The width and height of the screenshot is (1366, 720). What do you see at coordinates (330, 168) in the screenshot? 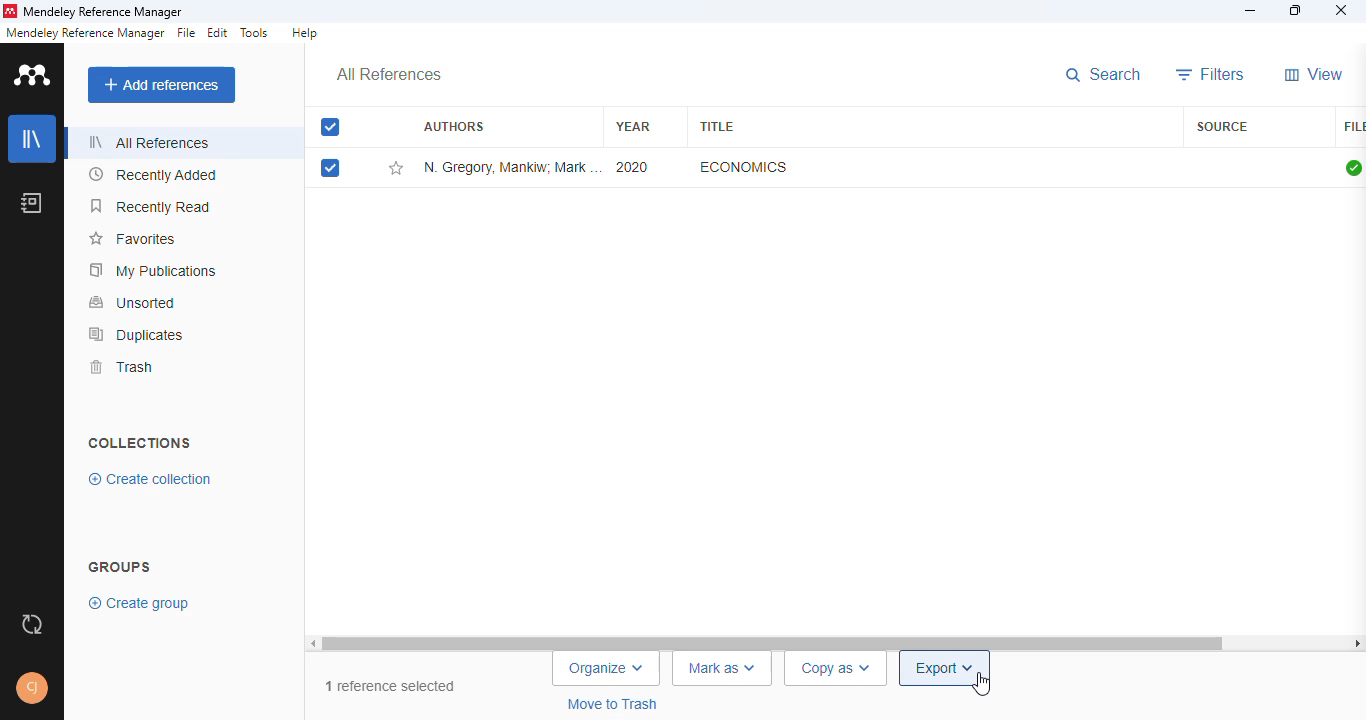
I see `selected` at bounding box center [330, 168].